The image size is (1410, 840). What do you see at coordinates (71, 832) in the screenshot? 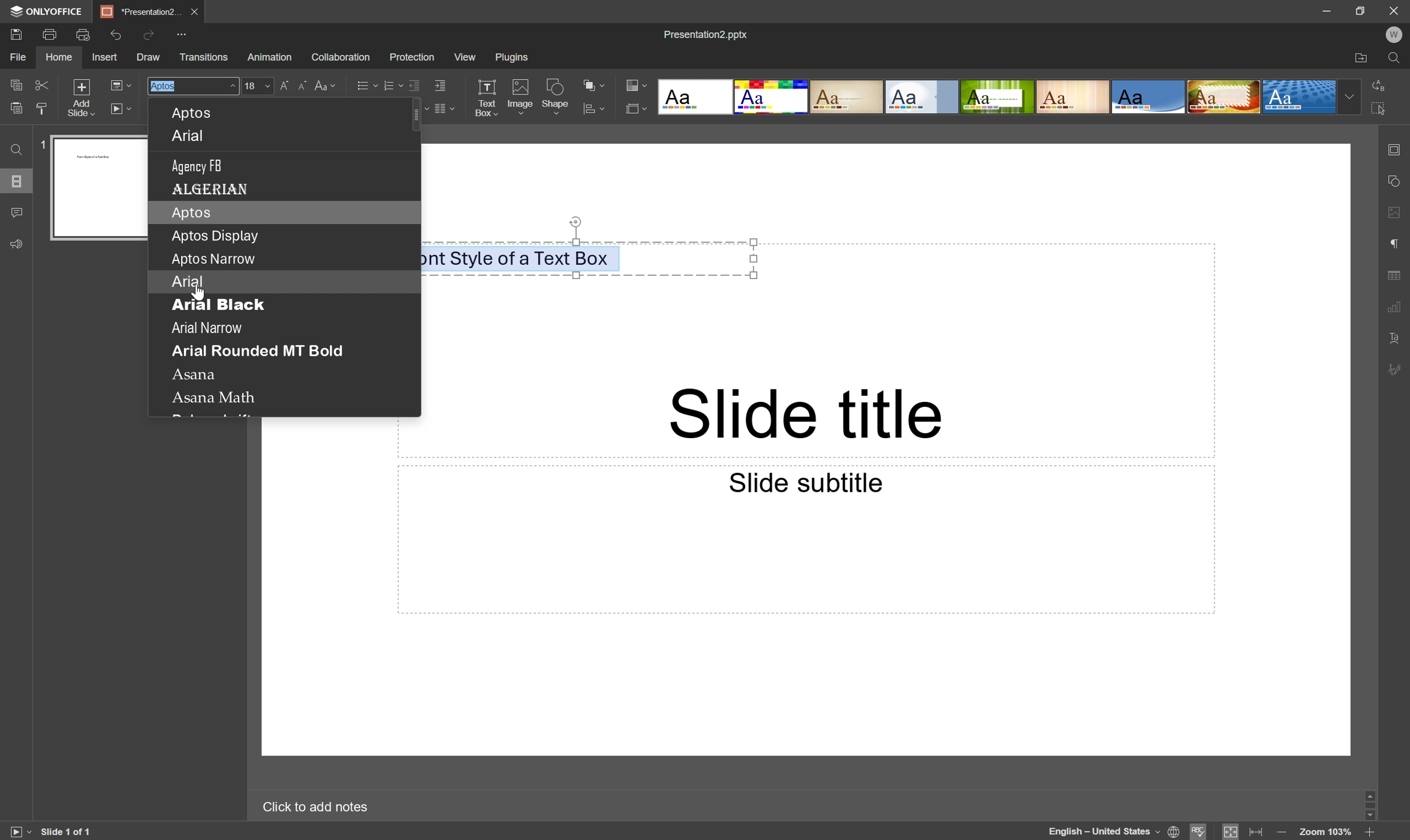
I see `Slide 1 of 1` at bounding box center [71, 832].